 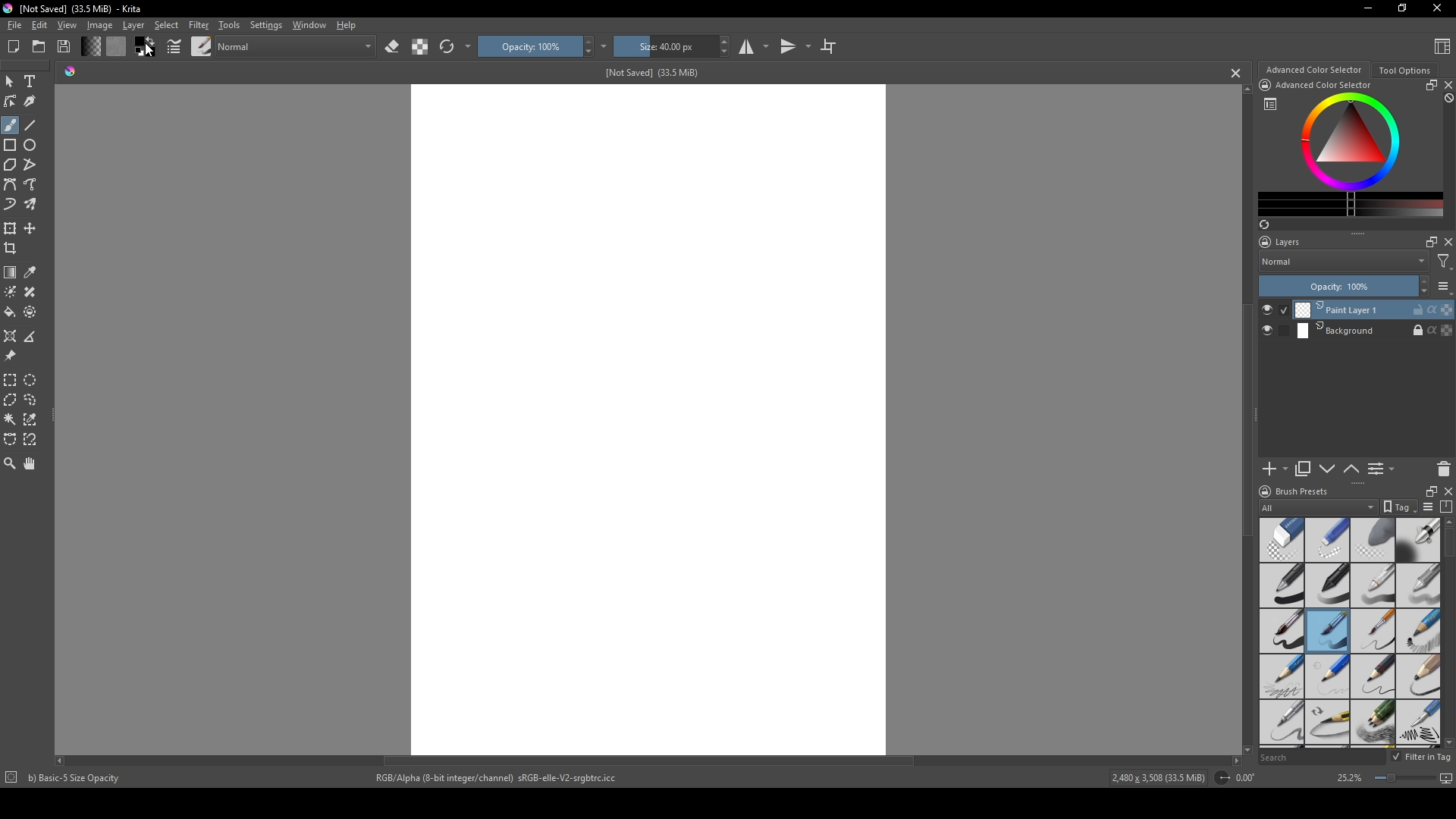 What do you see at coordinates (10, 779) in the screenshot?
I see `icon` at bounding box center [10, 779].